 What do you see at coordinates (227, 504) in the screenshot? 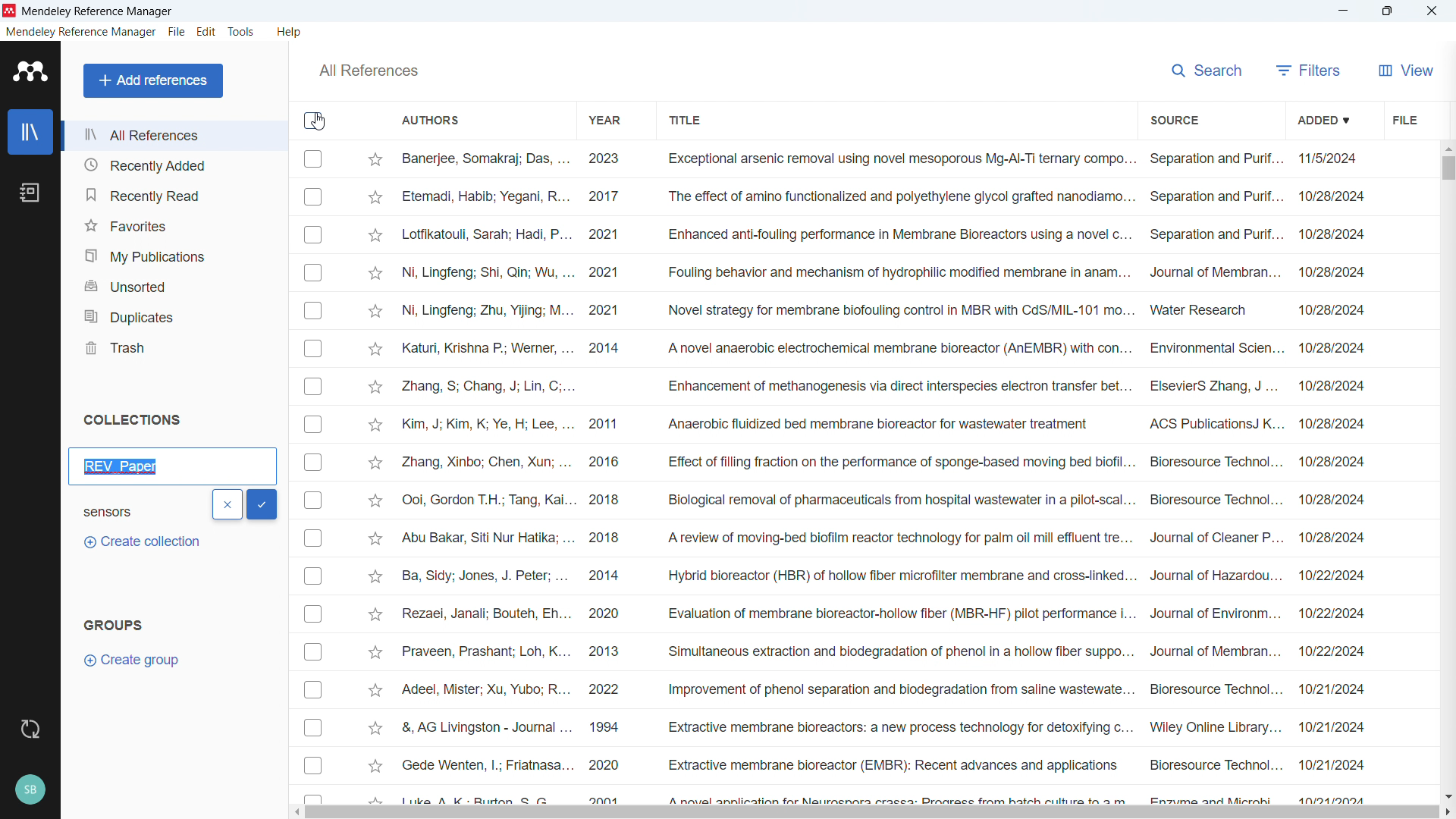
I see `Cross ` at bounding box center [227, 504].